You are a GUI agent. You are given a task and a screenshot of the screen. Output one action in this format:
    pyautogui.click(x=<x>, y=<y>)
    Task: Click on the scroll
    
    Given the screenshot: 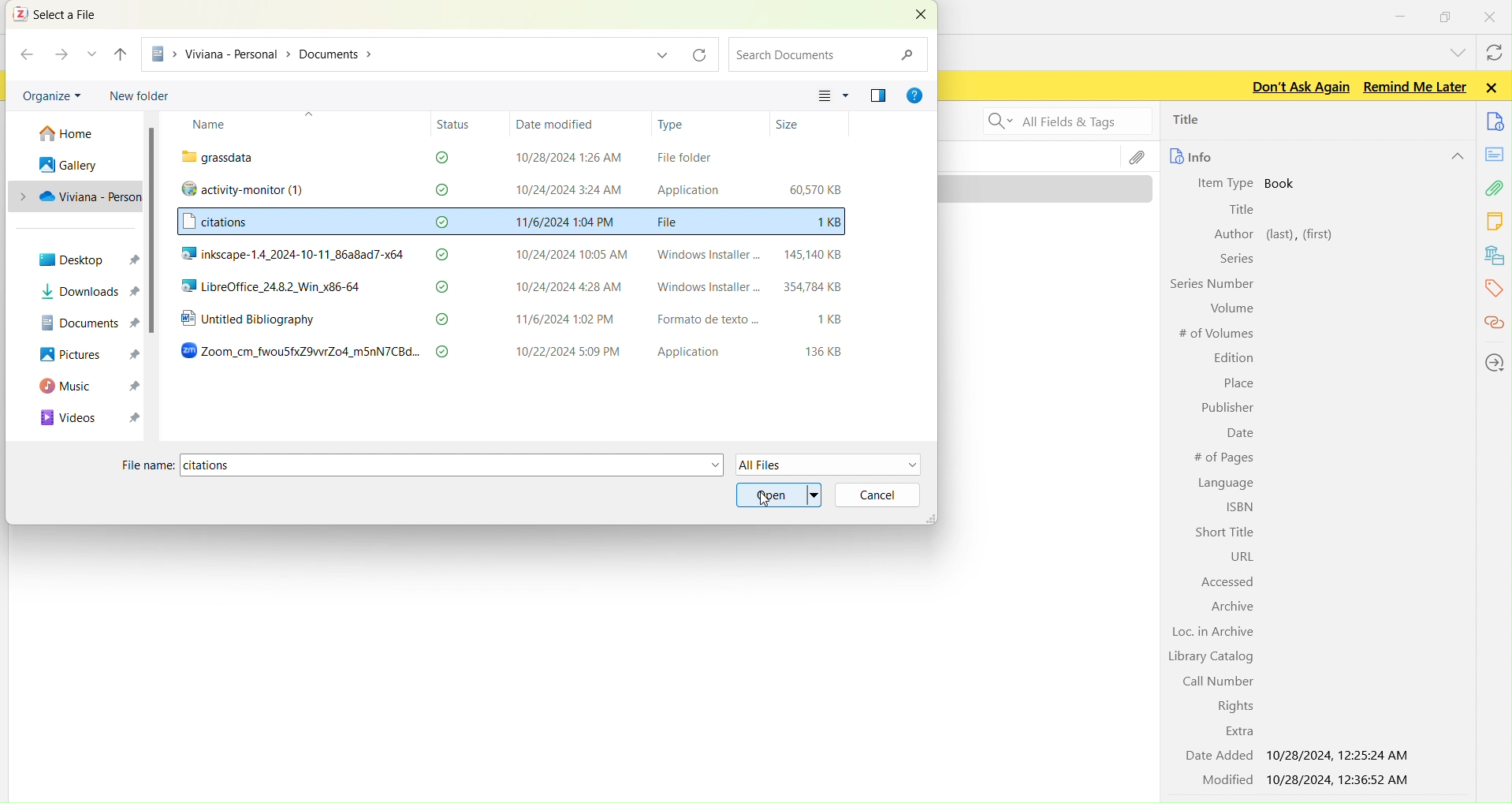 What is the action you would take?
    pyautogui.click(x=161, y=226)
    